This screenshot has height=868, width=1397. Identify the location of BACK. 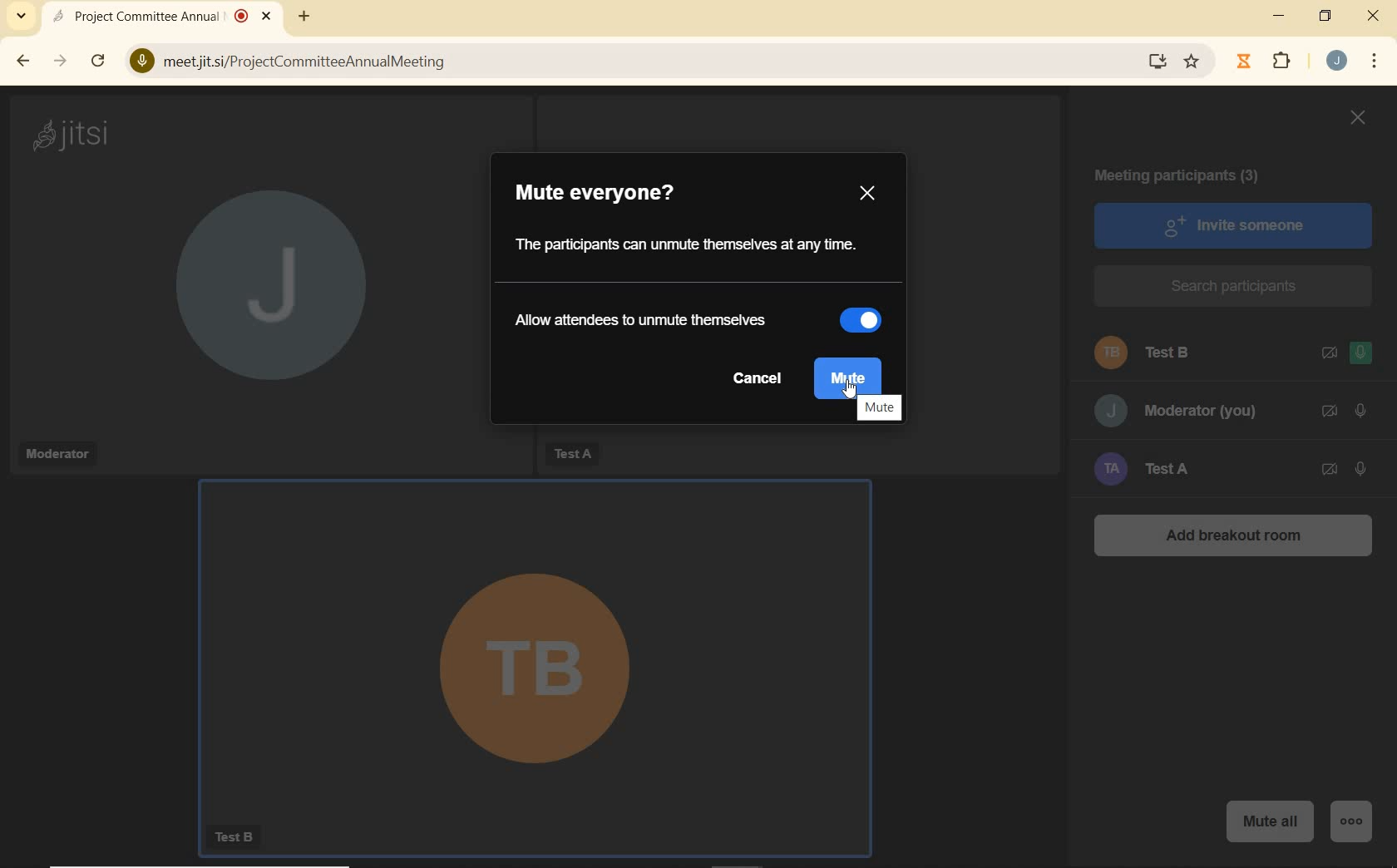
(24, 62).